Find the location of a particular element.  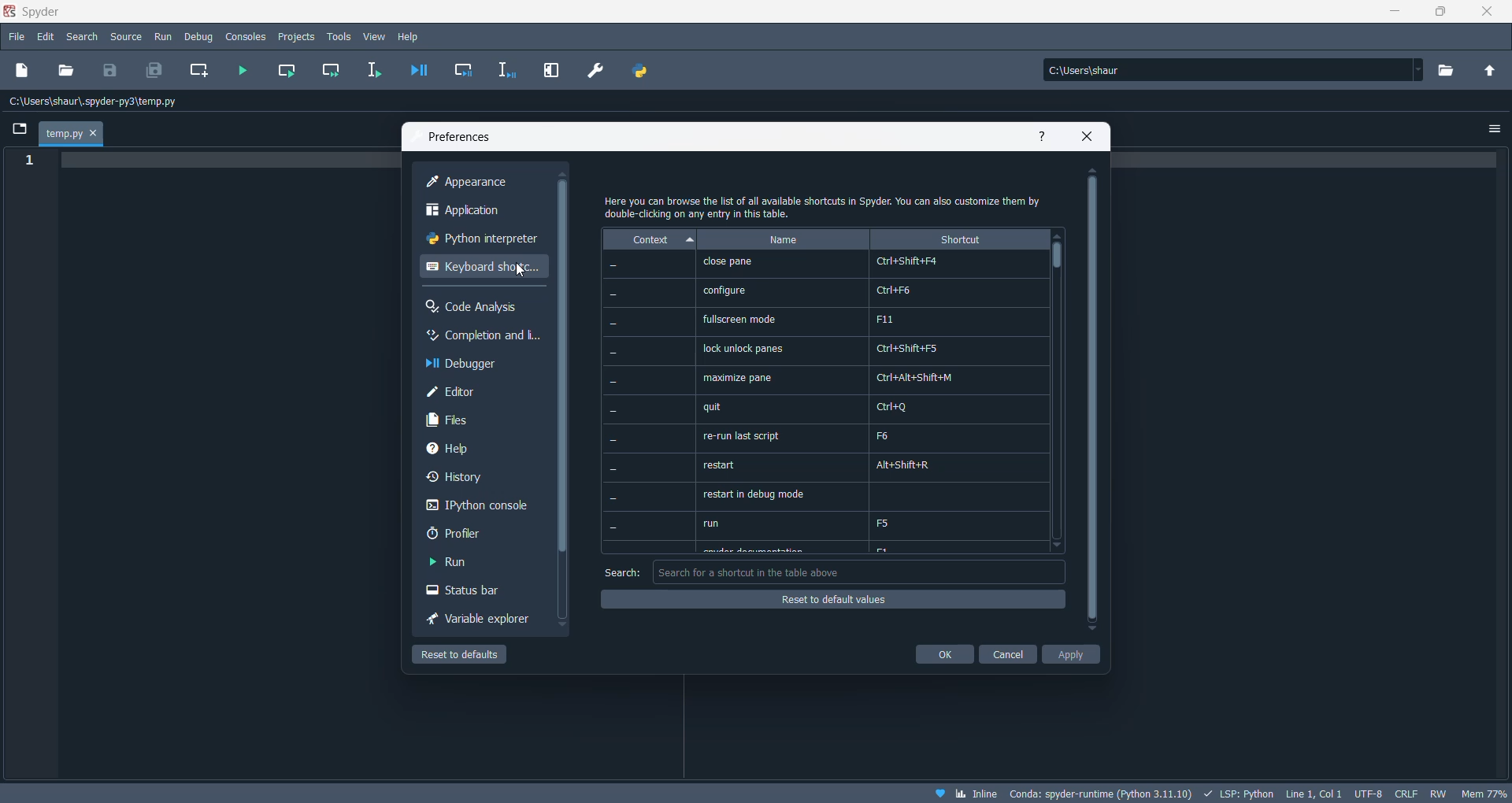

working directory is located at coordinates (1451, 71).